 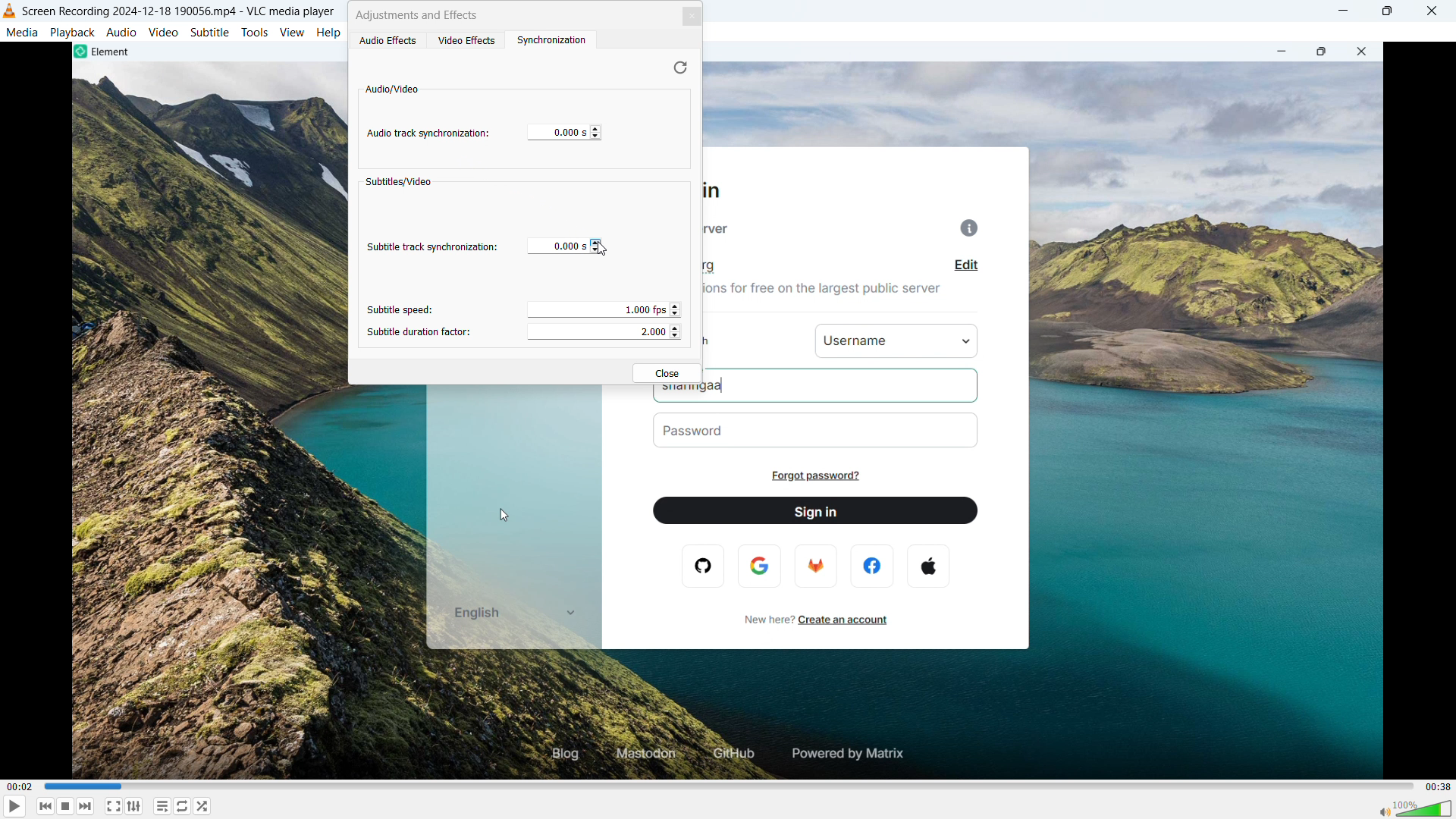 I want to click on adjust subtitle track synchronization, so click(x=596, y=246).